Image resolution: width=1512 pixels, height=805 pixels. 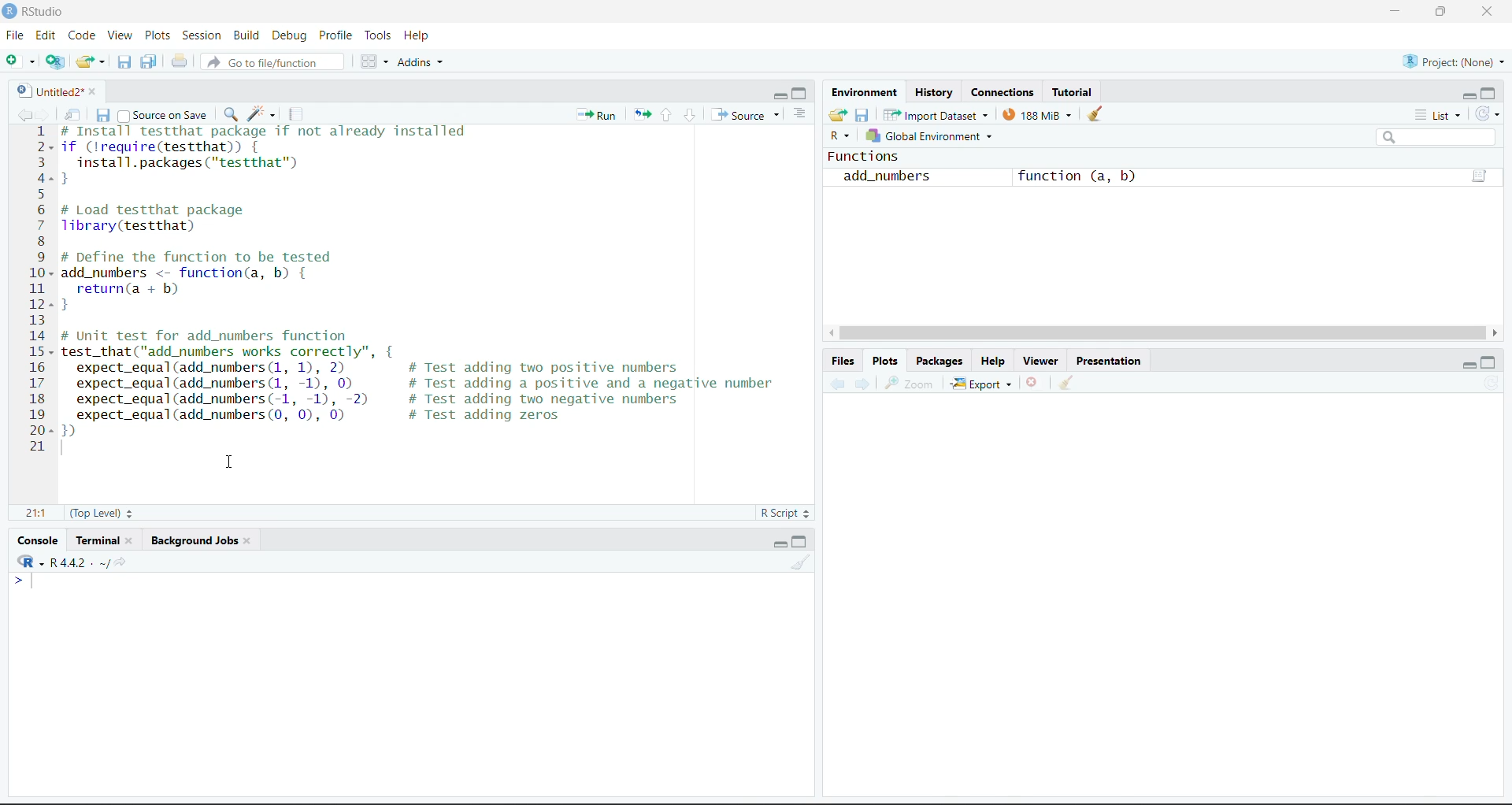 What do you see at coordinates (293, 114) in the screenshot?
I see `compile report` at bounding box center [293, 114].